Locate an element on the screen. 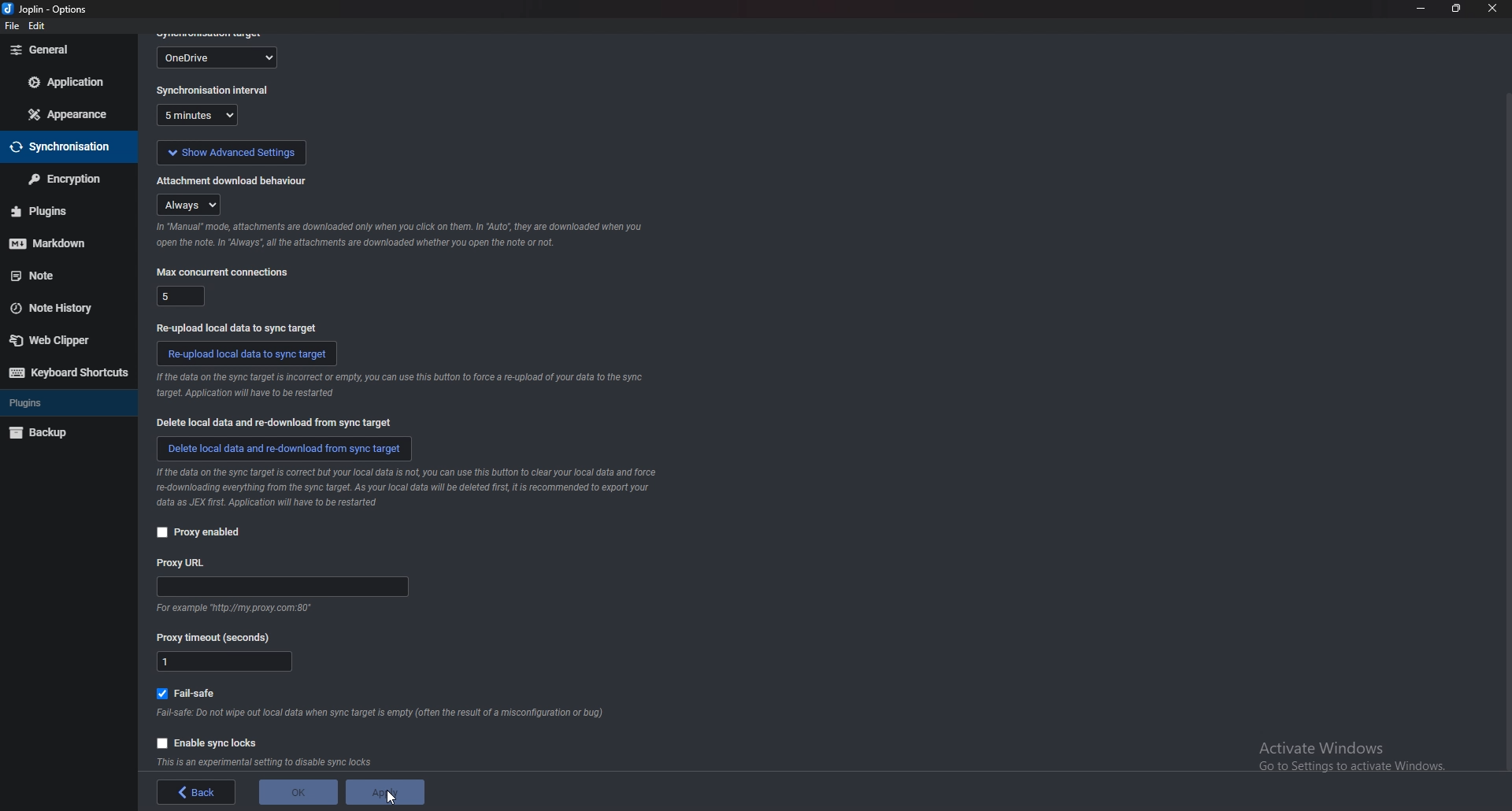 The height and width of the screenshot is (811, 1512). sync interval is located at coordinates (214, 91).